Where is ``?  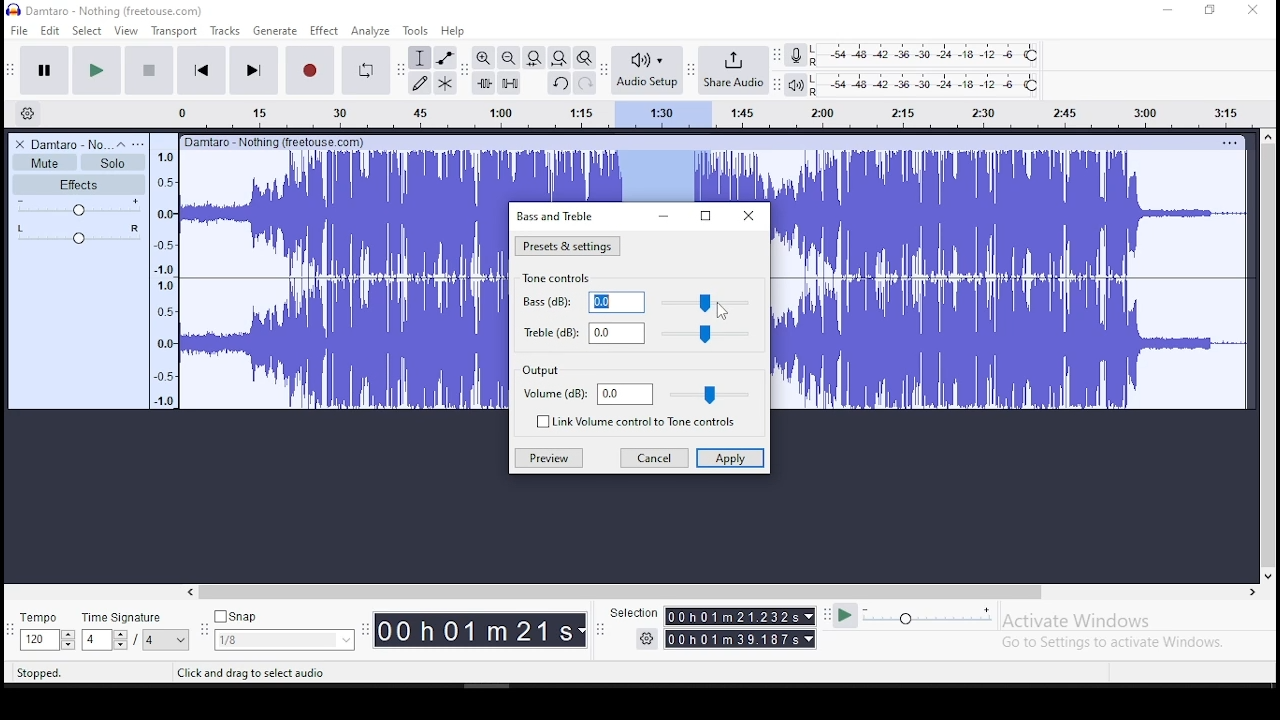
 is located at coordinates (366, 628).